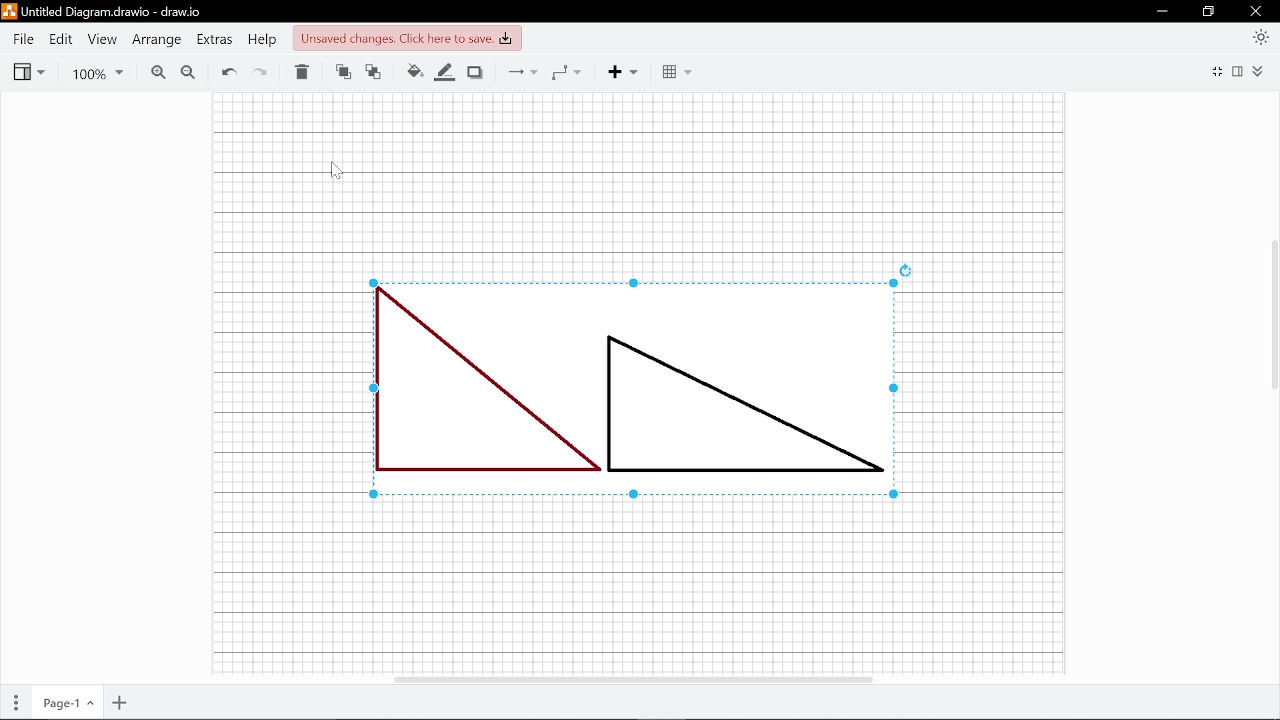 This screenshot has width=1280, height=720. What do you see at coordinates (524, 71) in the screenshot?
I see `Connection` at bounding box center [524, 71].